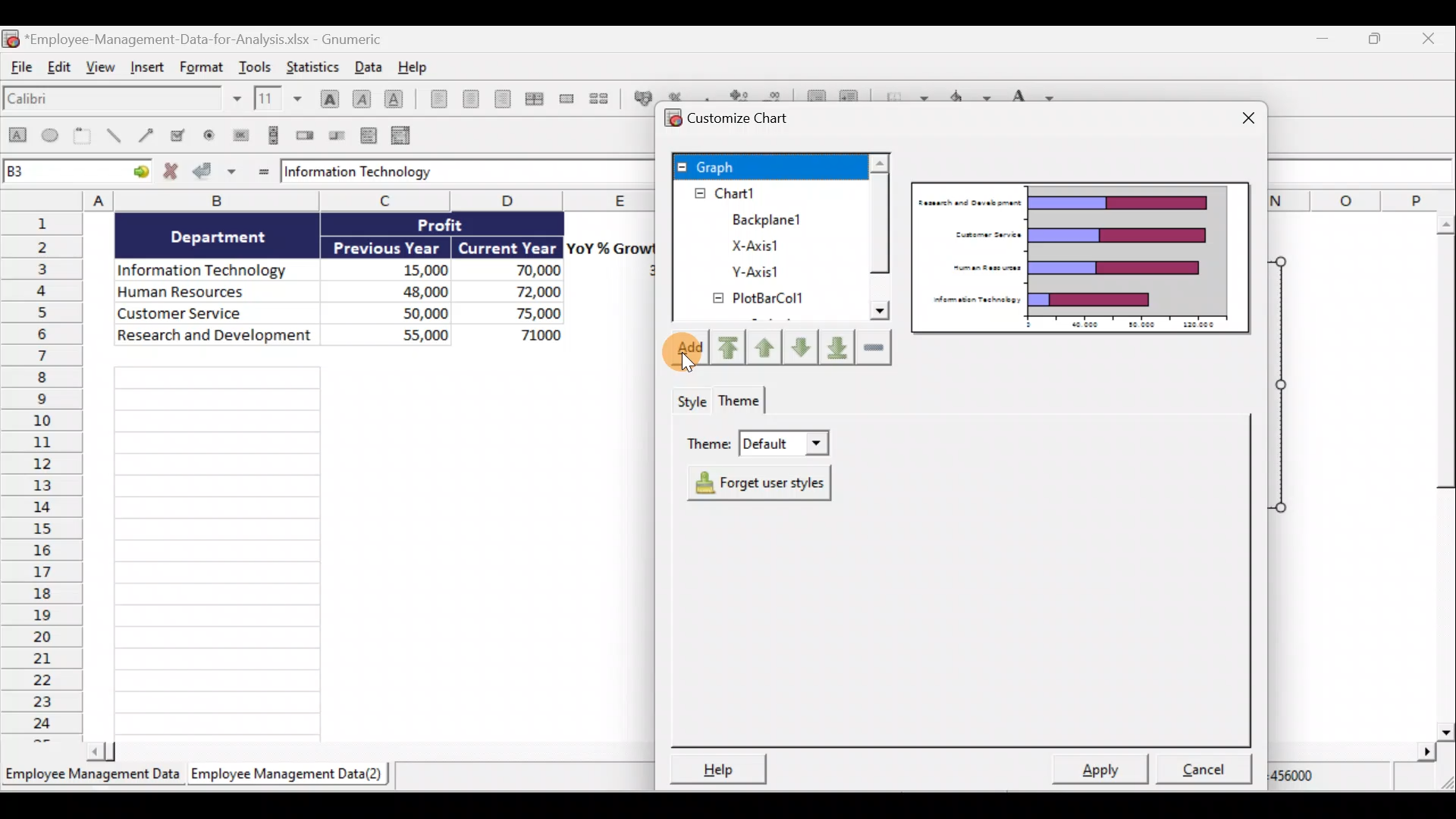 The height and width of the screenshot is (819, 1456). Describe the element at coordinates (220, 315) in the screenshot. I see `Customer Service` at that location.